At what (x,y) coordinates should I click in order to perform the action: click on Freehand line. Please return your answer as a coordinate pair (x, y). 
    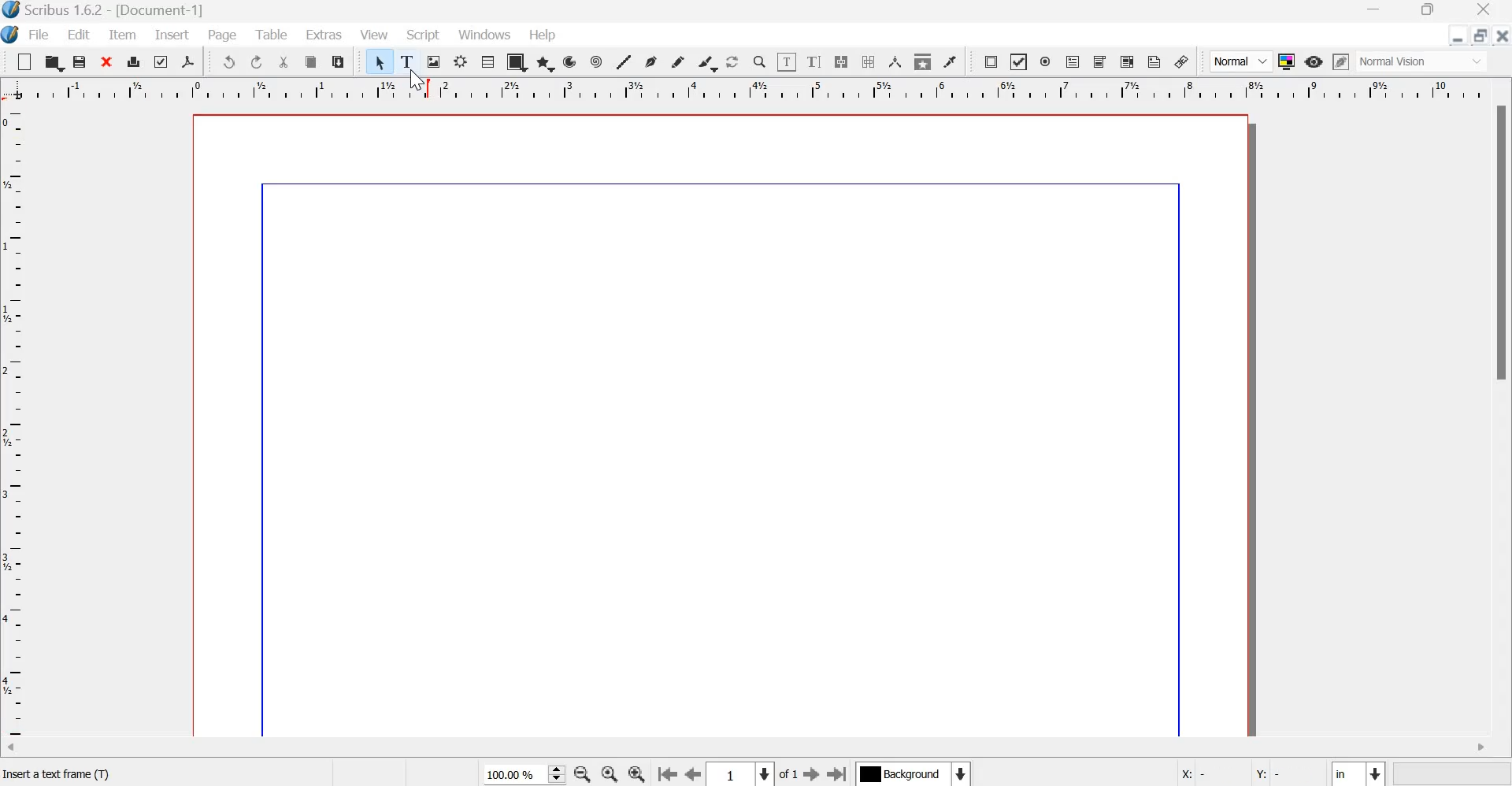
    Looking at the image, I should click on (677, 62).